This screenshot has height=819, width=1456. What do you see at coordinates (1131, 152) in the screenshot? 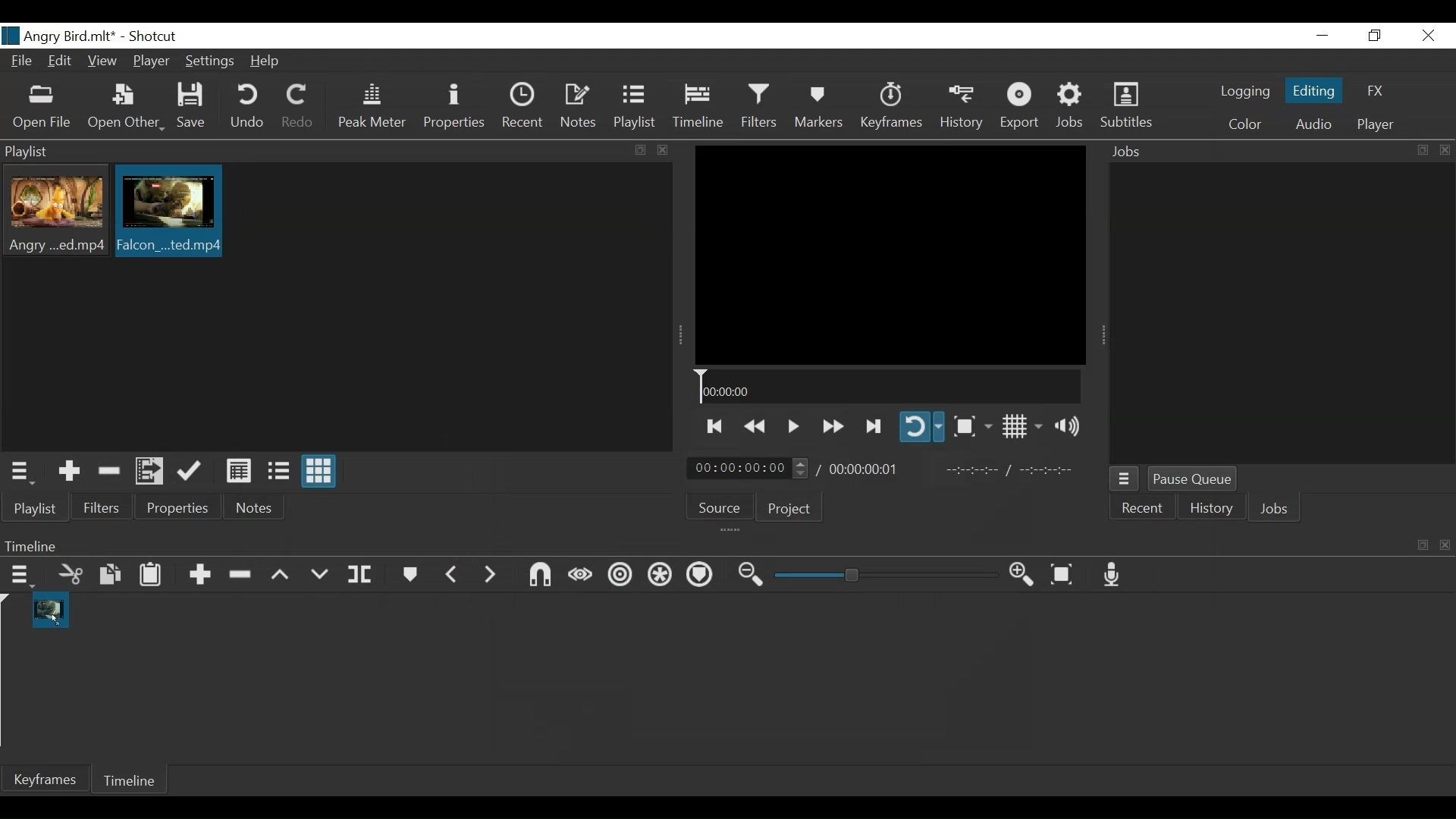
I see `Jobs` at bounding box center [1131, 152].